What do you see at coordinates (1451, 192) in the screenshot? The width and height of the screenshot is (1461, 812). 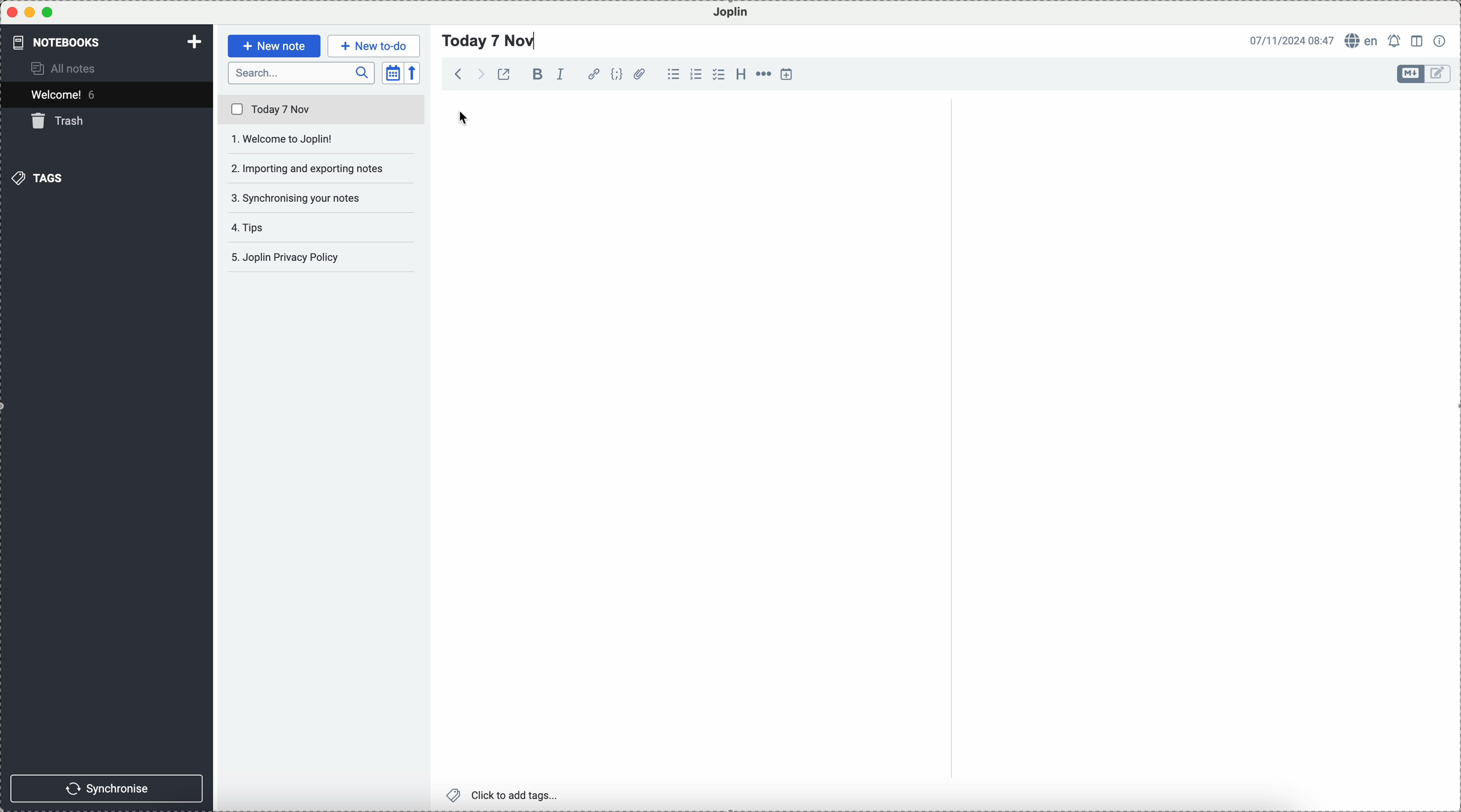 I see `vertical scroll bar` at bounding box center [1451, 192].